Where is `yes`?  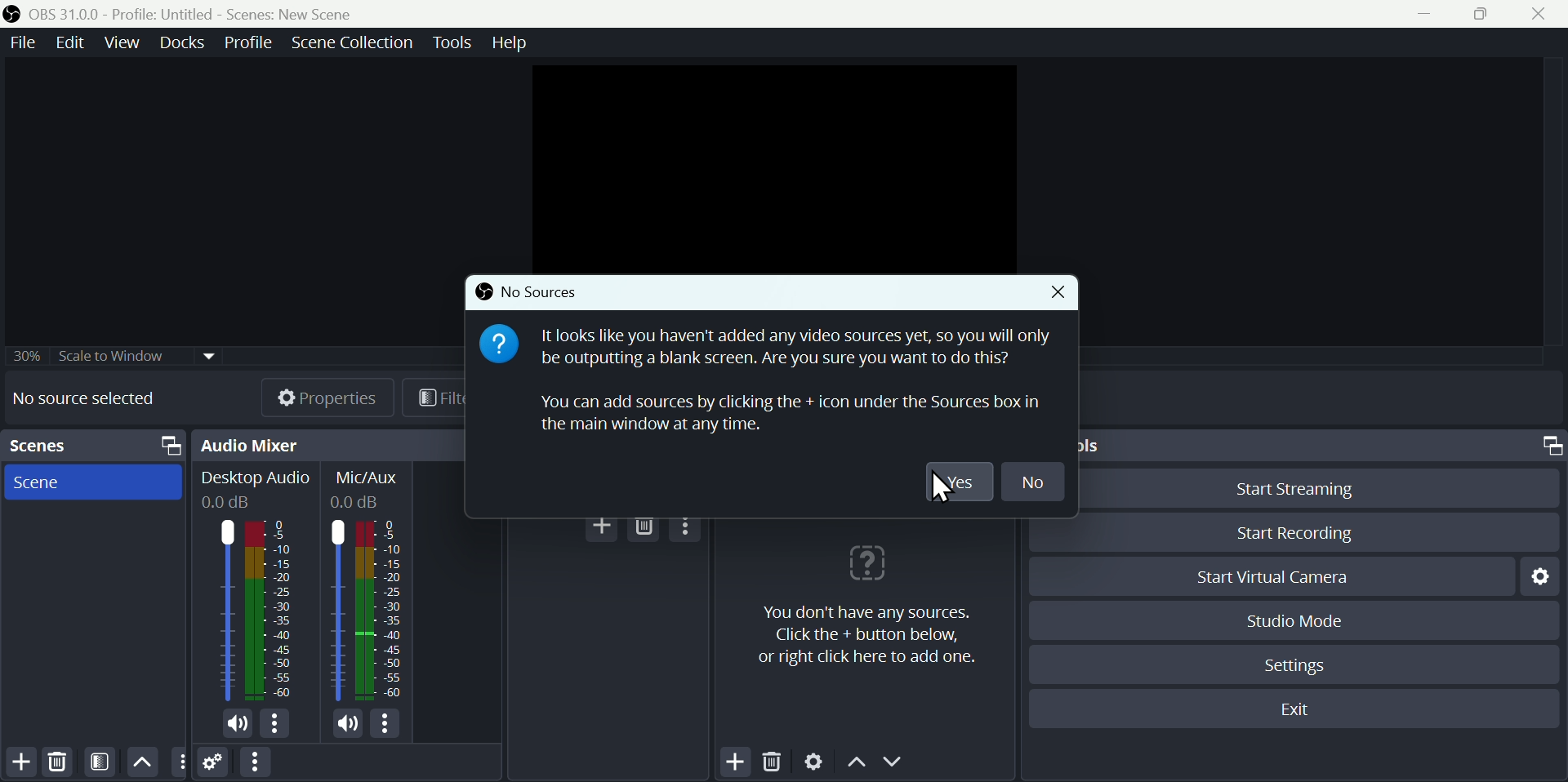 yes is located at coordinates (963, 481).